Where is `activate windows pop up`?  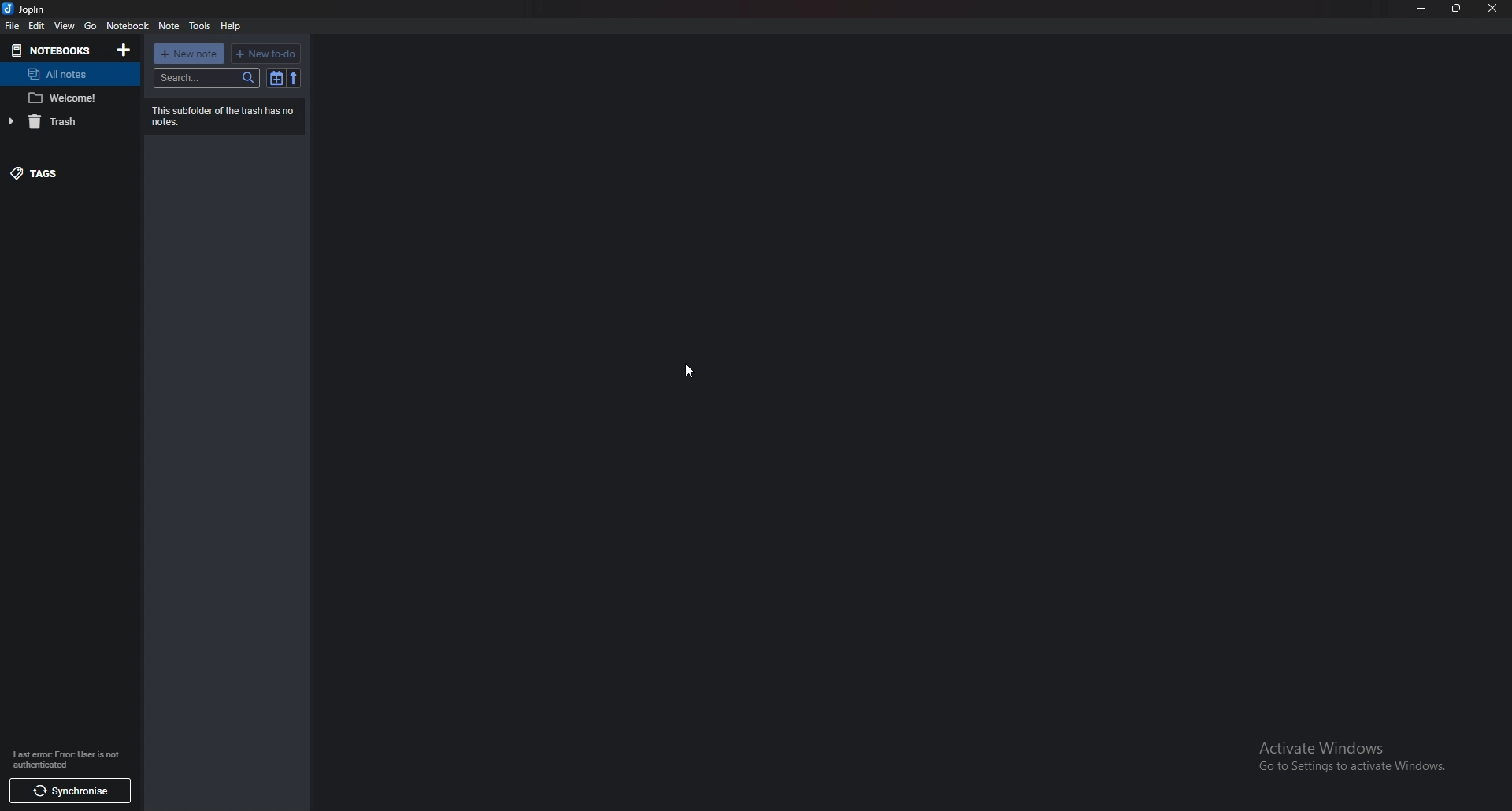
activate windows pop up is located at coordinates (1345, 762).